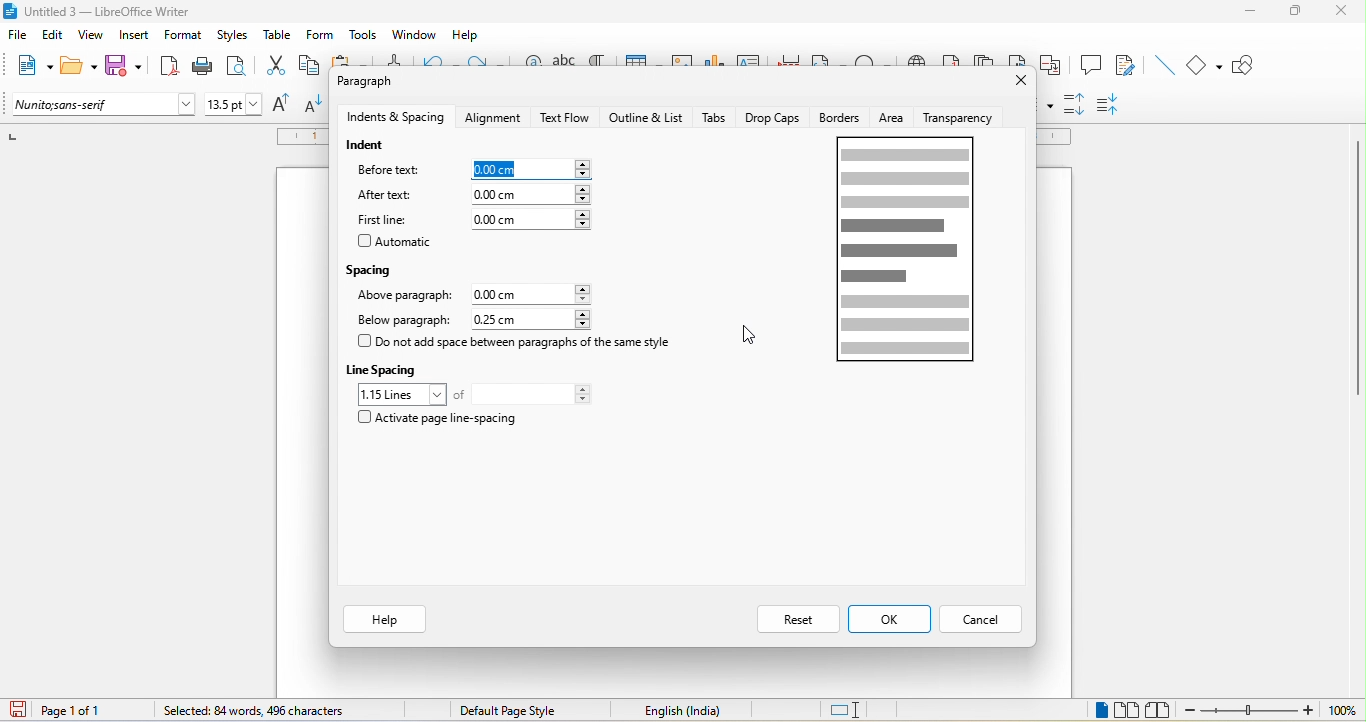 The image size is (1366, 722). What do you see at coordinates (583, 169) in the screenshot?
I see `increase or decrease` at bounding box center [583, 169].